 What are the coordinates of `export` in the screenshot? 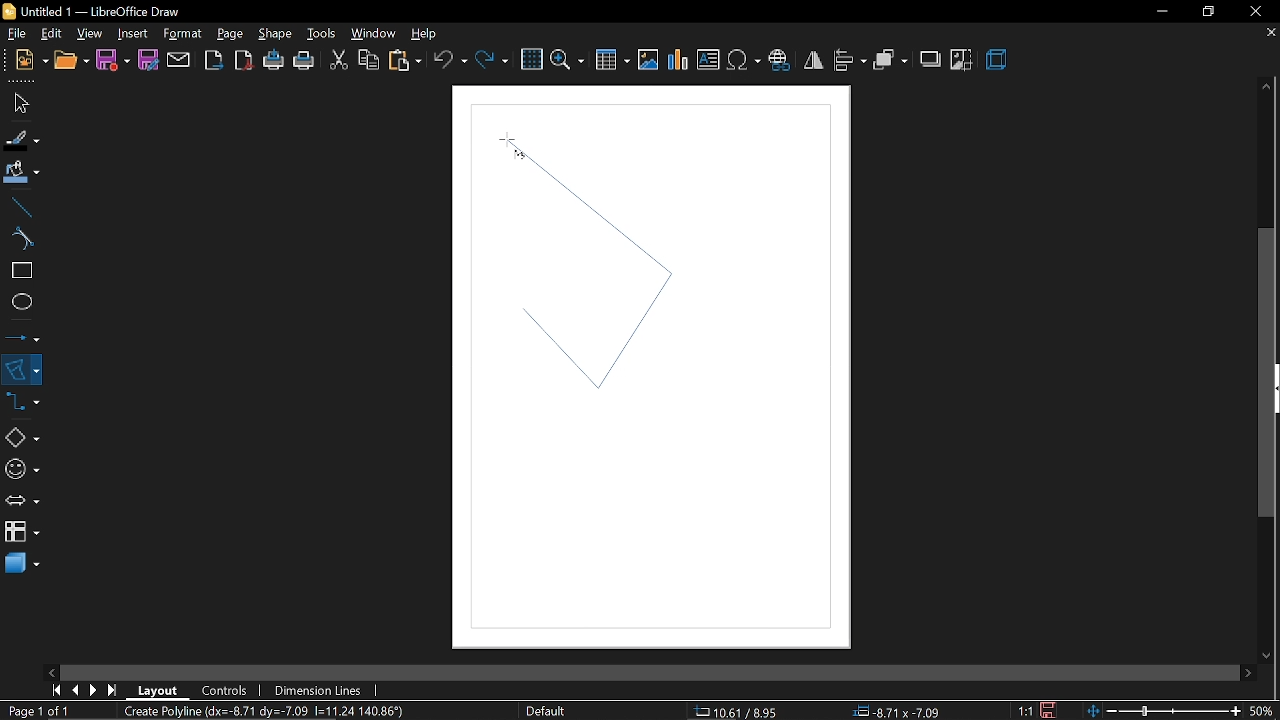 It's located at (213, 59).